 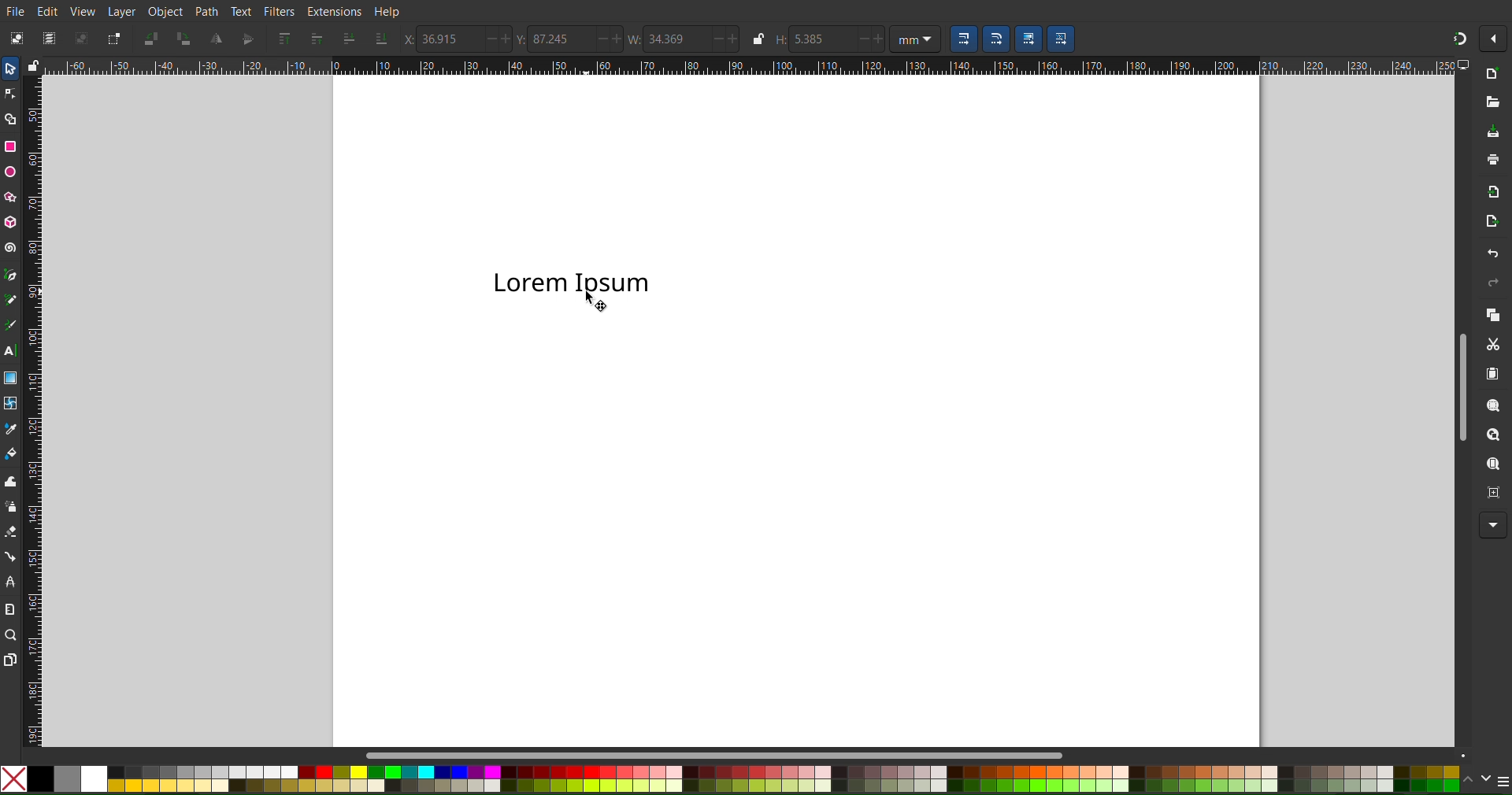 I want to click on Text, so click(x=573, y=283).